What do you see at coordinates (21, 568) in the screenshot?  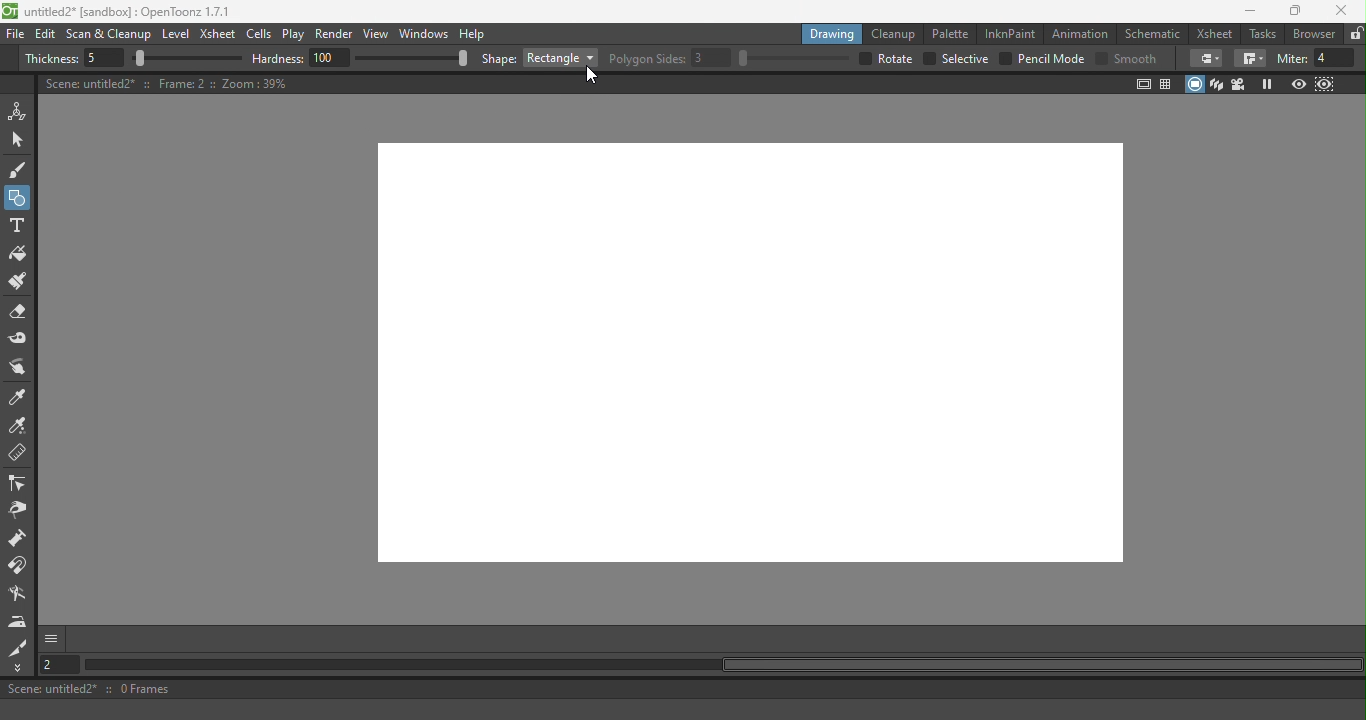 I see `Magnet tool` at bounding box center [21, 568].